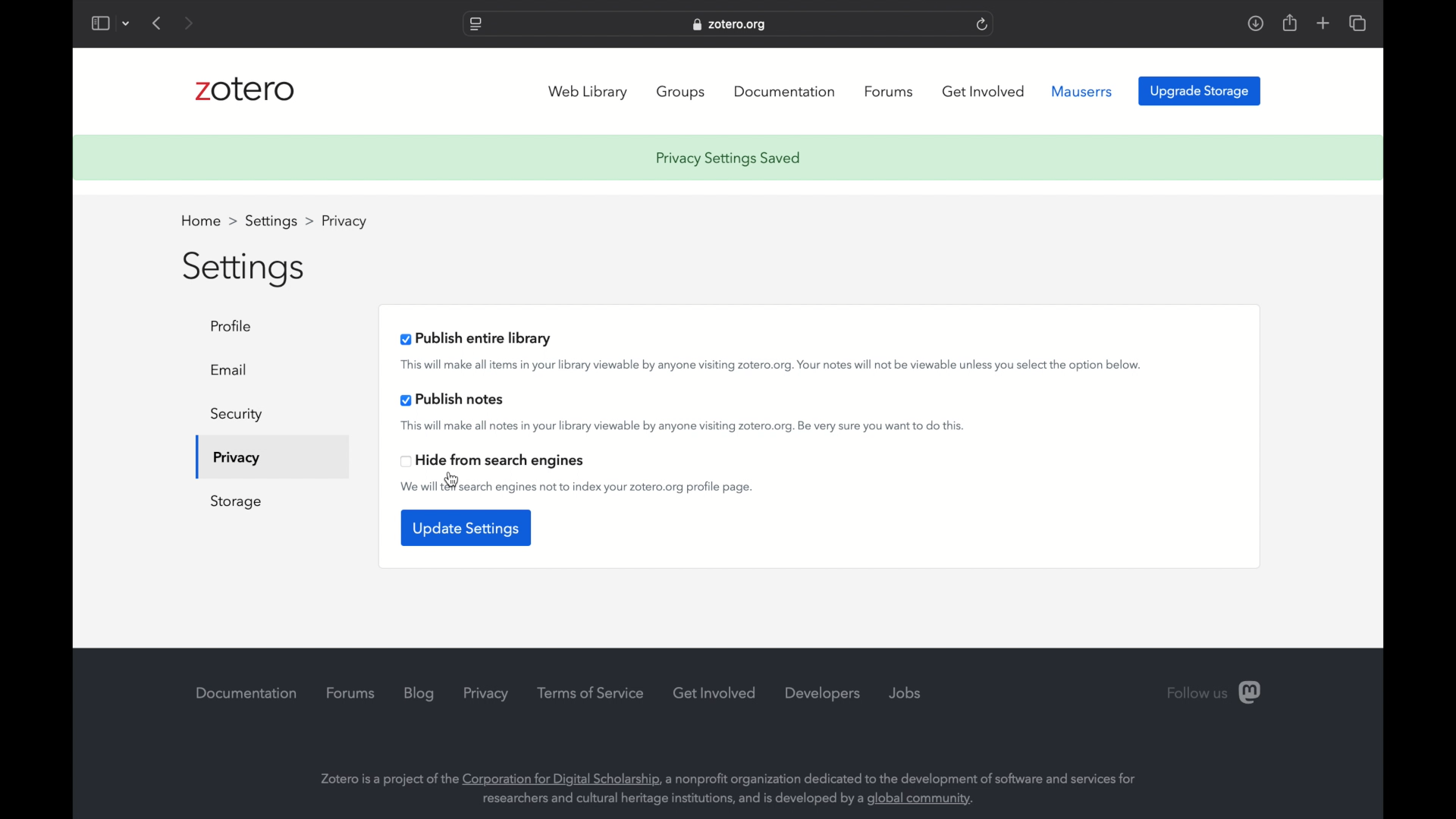 The width and height of the screenshot is (1456, 819). I want to click on home, so click(205, 219).